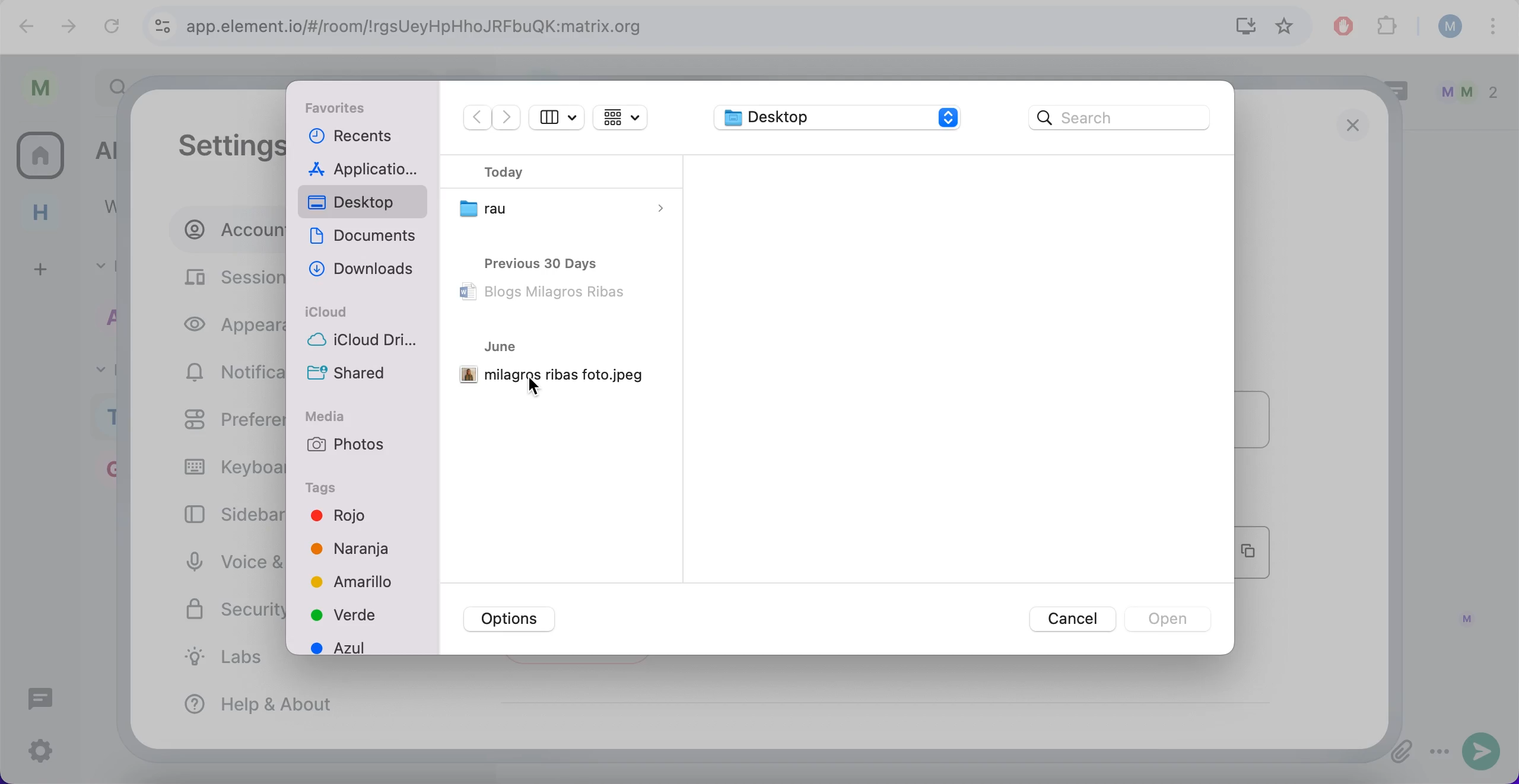 Image resolution: width=1519 pixels, height=784 pixels. What do you see at coordinates (1438, 755) in the screenshot?
I see `options` at bounding box center [1438, 755].